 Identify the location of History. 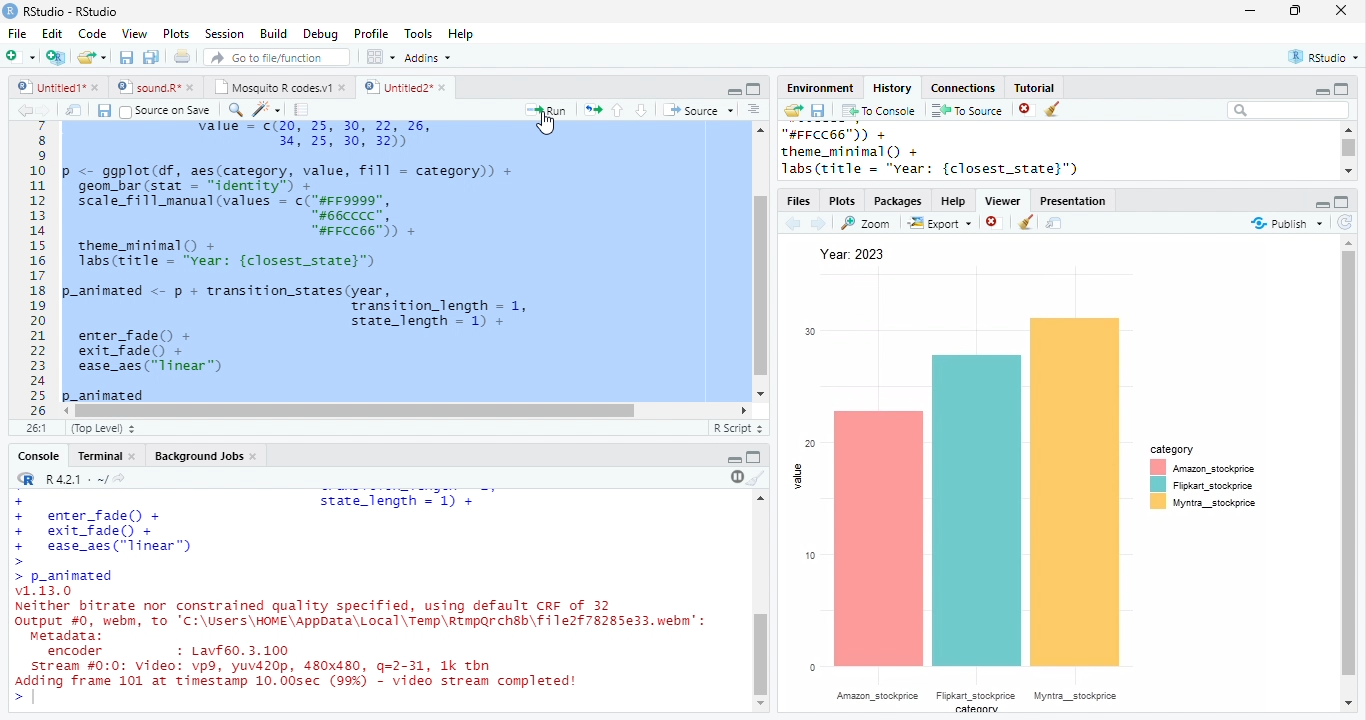
(892, 88).